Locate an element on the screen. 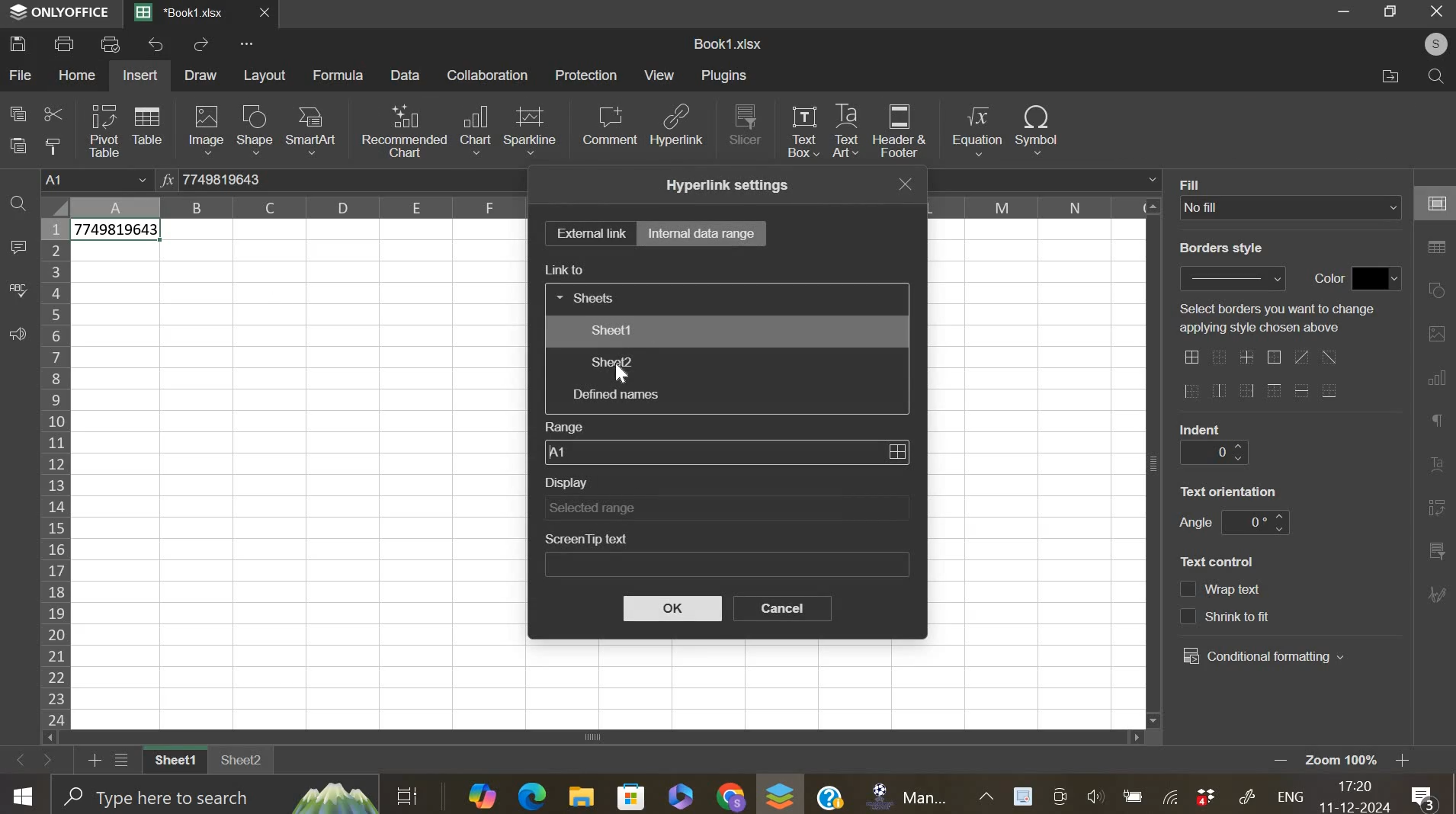 This screenshot has width=1456, height=814. defined names is located at coordinates (614, 394).